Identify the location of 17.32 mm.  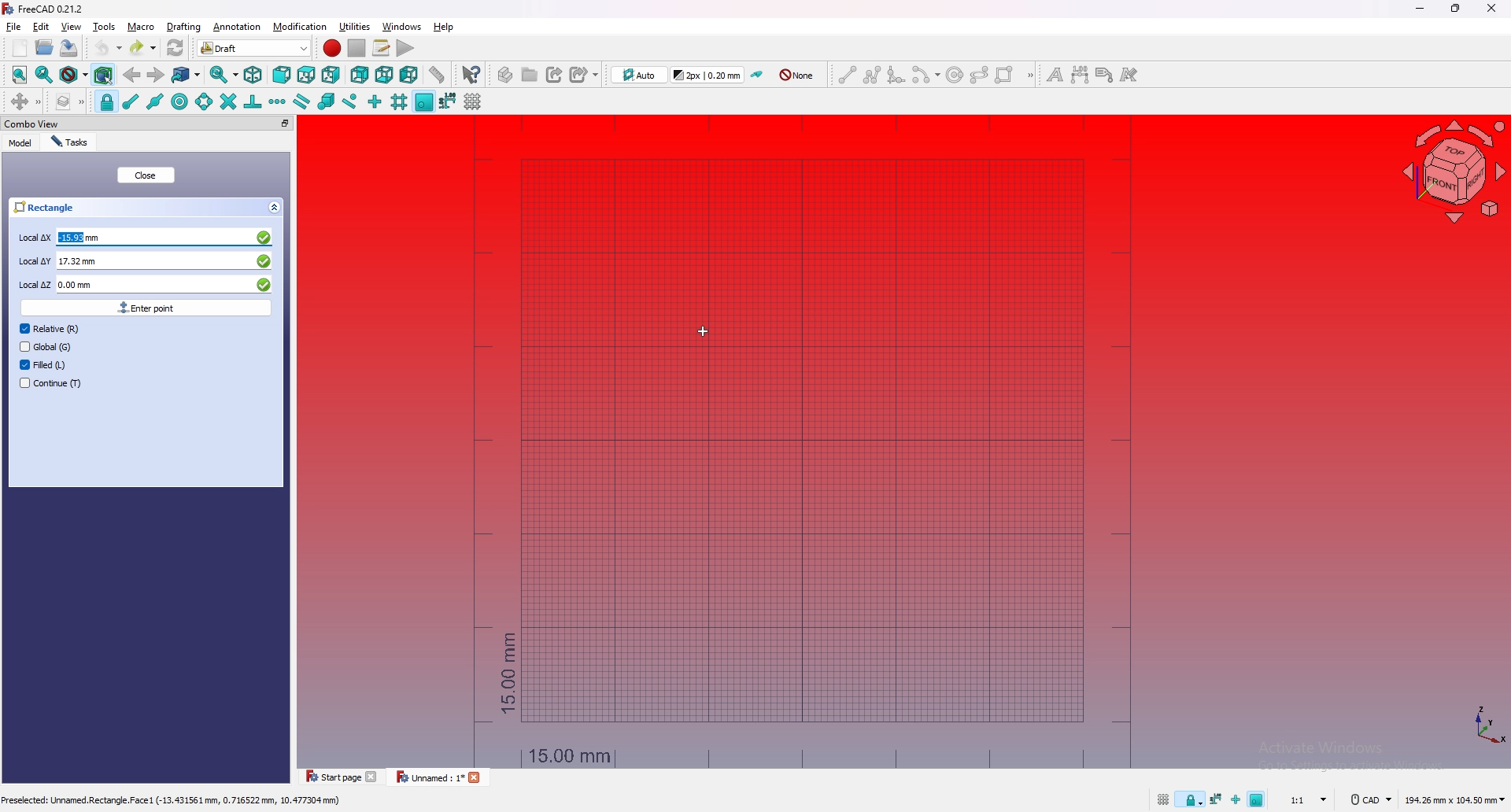
(164, 260).